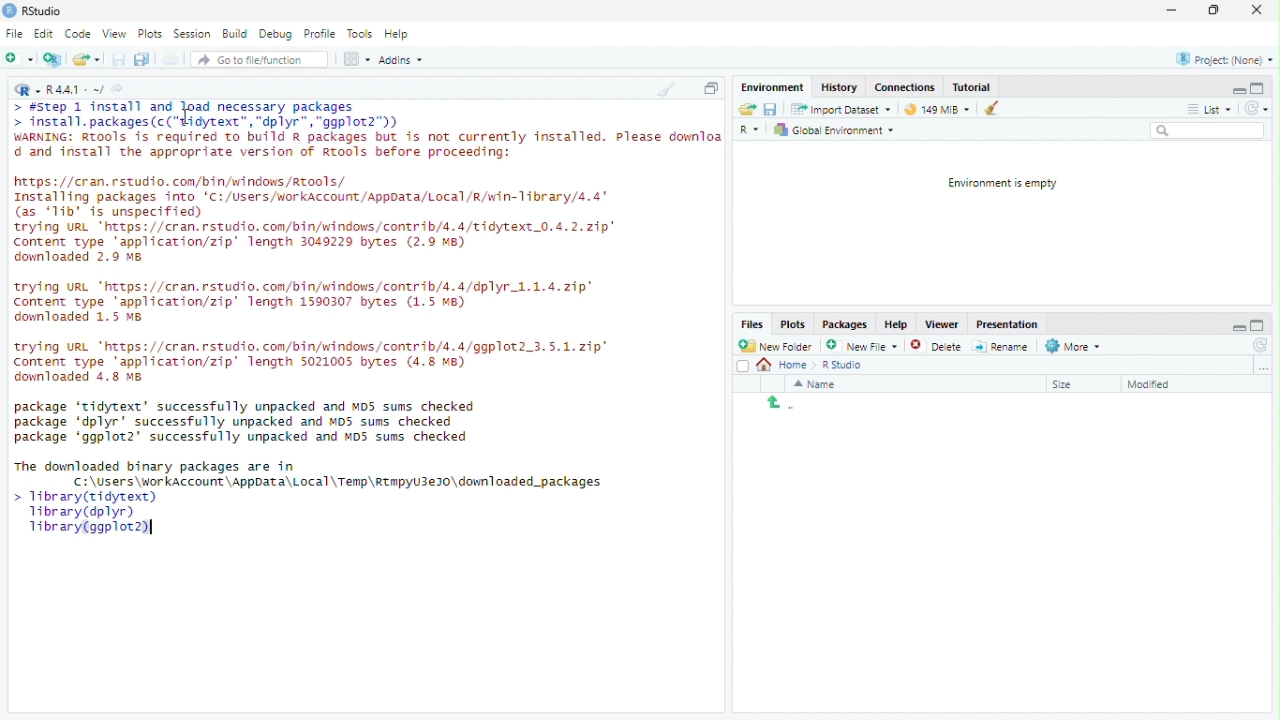 Image resolution: width=1280 pixels, height=720 pixels. What do you see at coordinates (320, 361) in the screenshot?
I see `trying URL "https://cran.rstudio. com/bin/windows/contrib/4.4/ggplot2_3.5.1.21p"
content type ‘application/zip’ length 5021005 bytes (4.8 v8)
downloaded 4.8 MB` at bounding box center [320, 361].